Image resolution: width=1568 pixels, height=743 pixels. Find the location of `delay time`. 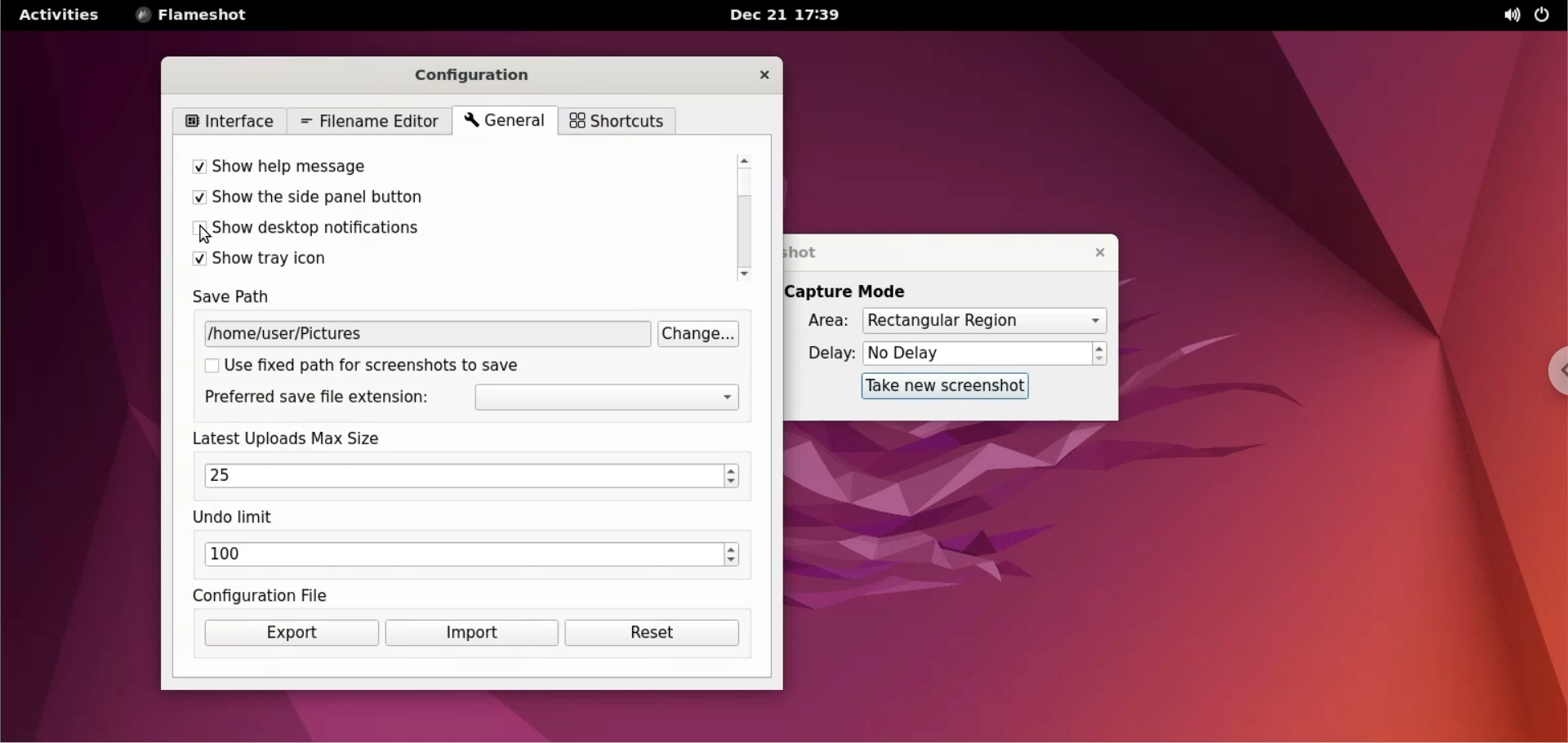

delay time is located at coordinates (977, 353).